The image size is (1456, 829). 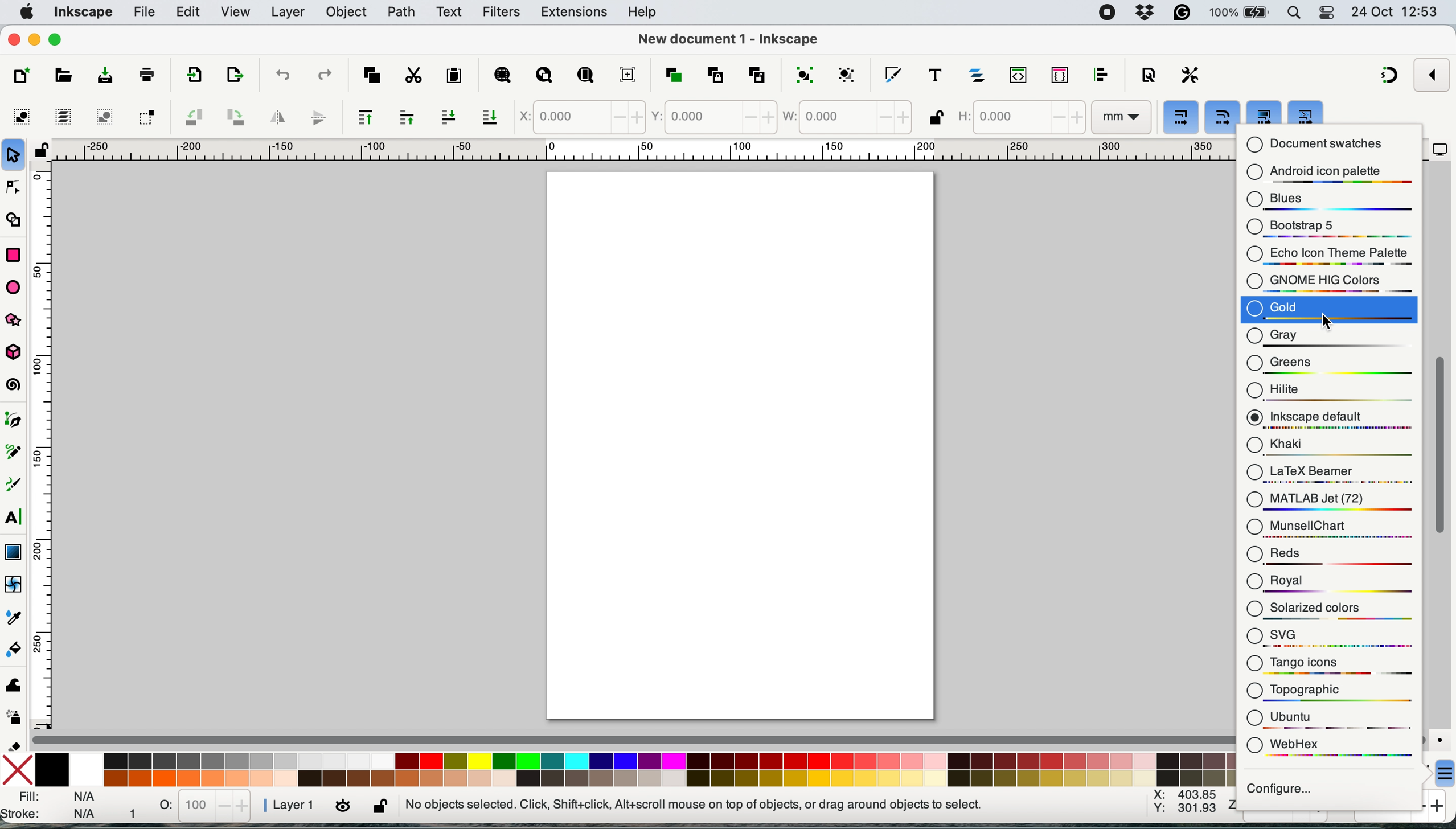 I want to click on gold, so click(x=1330, y=309).